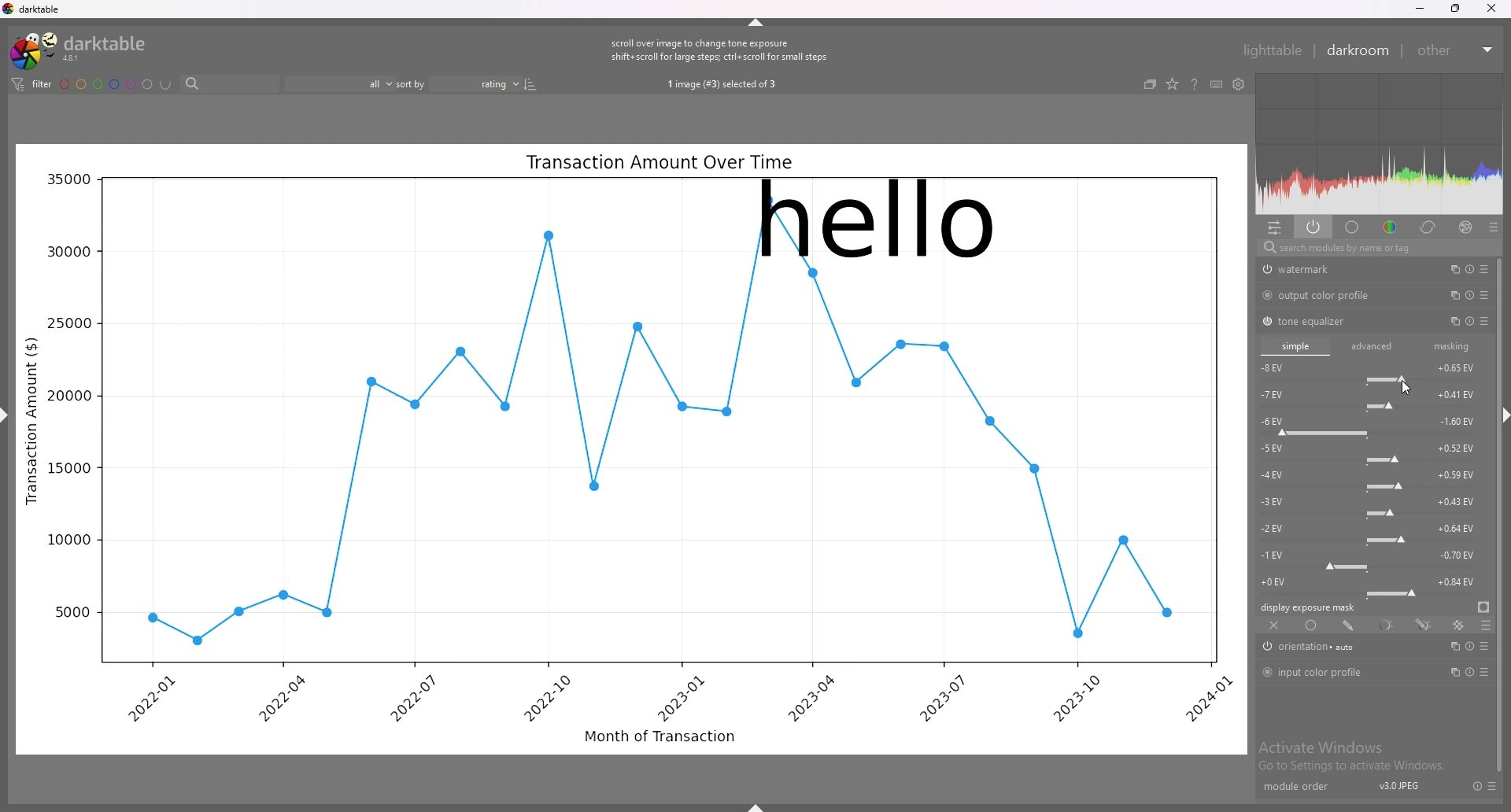  I want to click on -1 EV force, so click(1372, 559).